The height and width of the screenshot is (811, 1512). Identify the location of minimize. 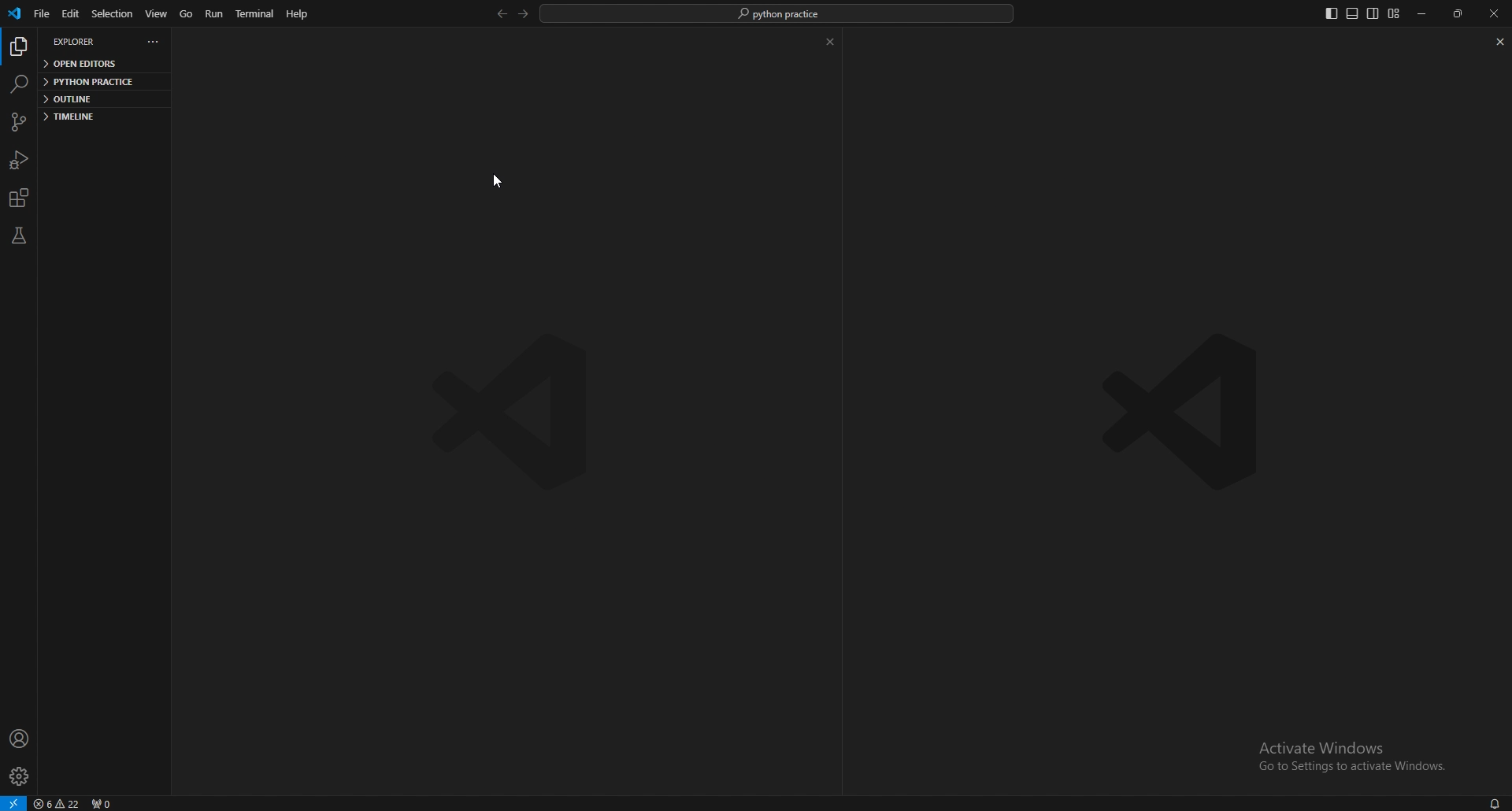
(1423, 13).